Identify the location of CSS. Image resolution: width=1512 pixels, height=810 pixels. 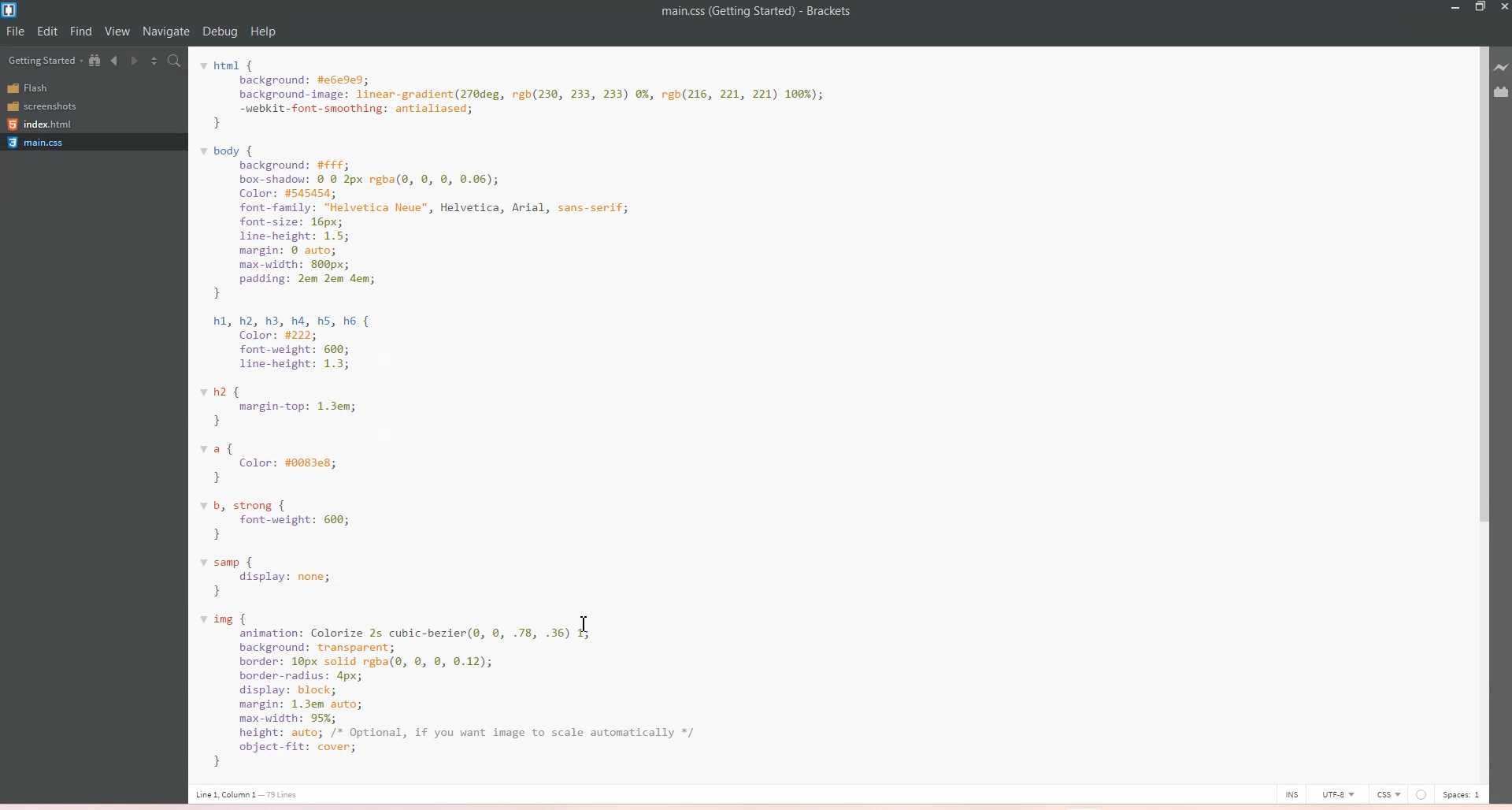
(1390, 795).